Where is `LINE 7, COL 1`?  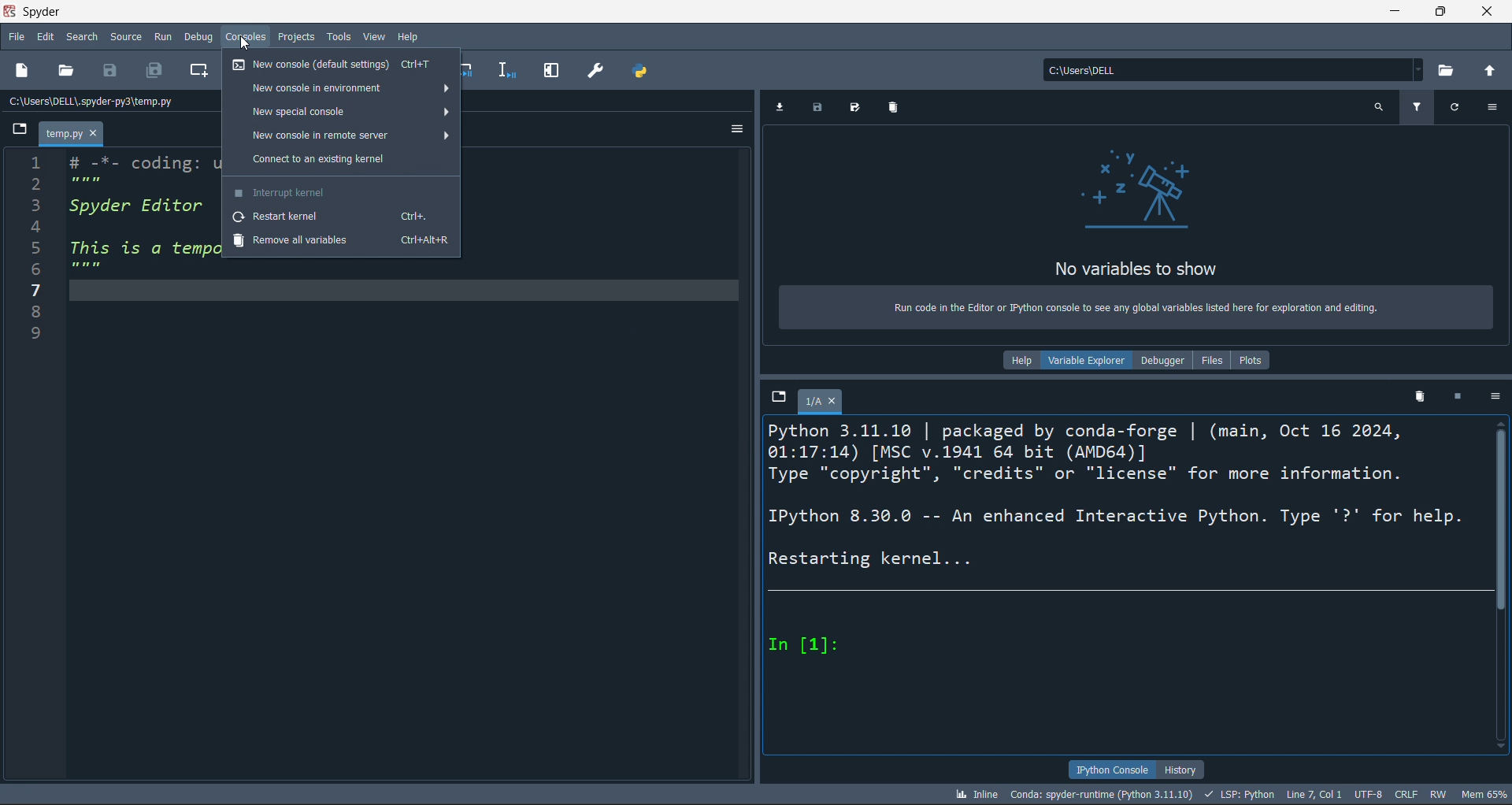 LINE 7, COL 1 is located at coordinates (1314, 794).